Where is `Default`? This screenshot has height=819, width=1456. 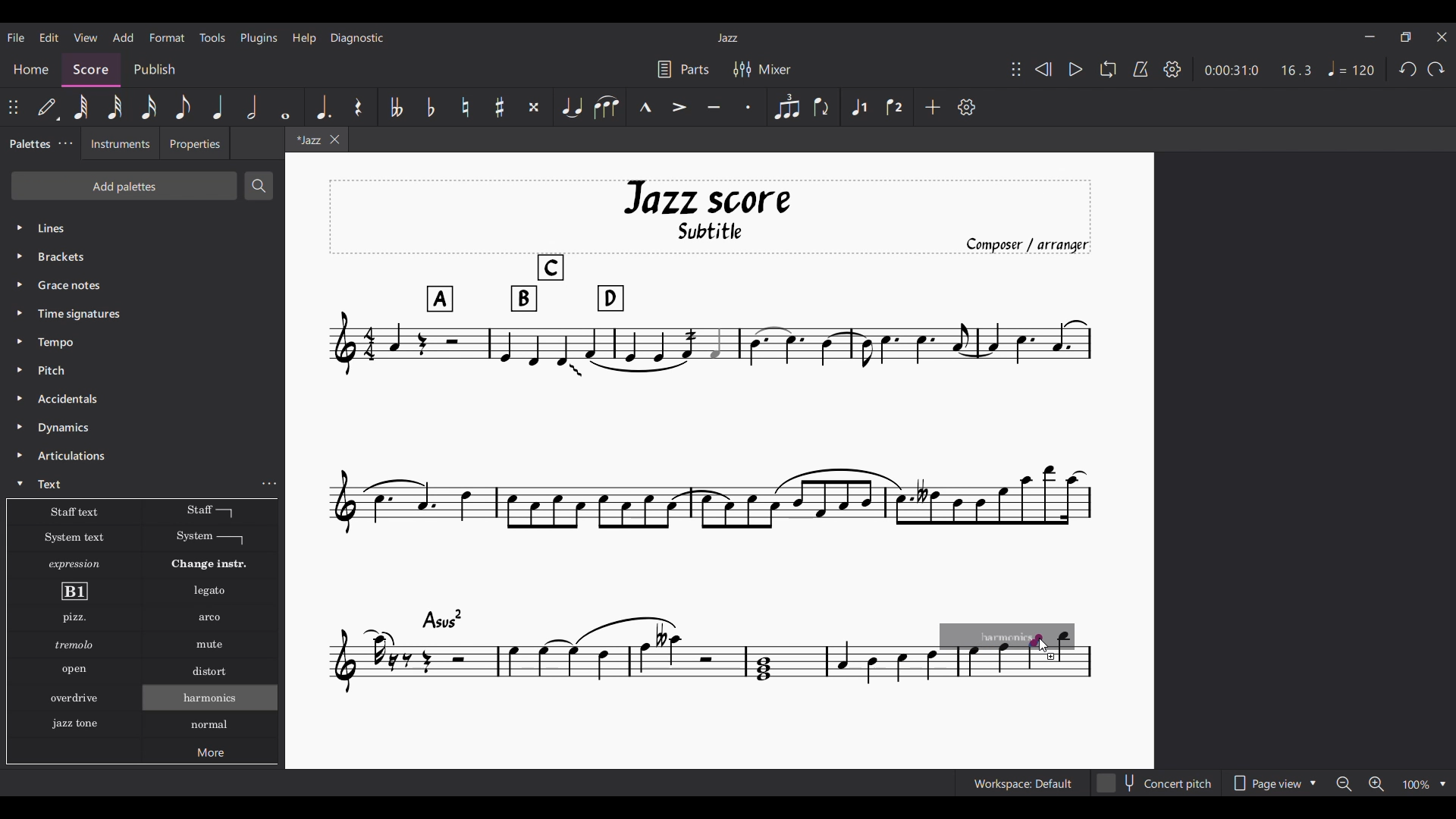 Default is located at coordinates (51, 111).